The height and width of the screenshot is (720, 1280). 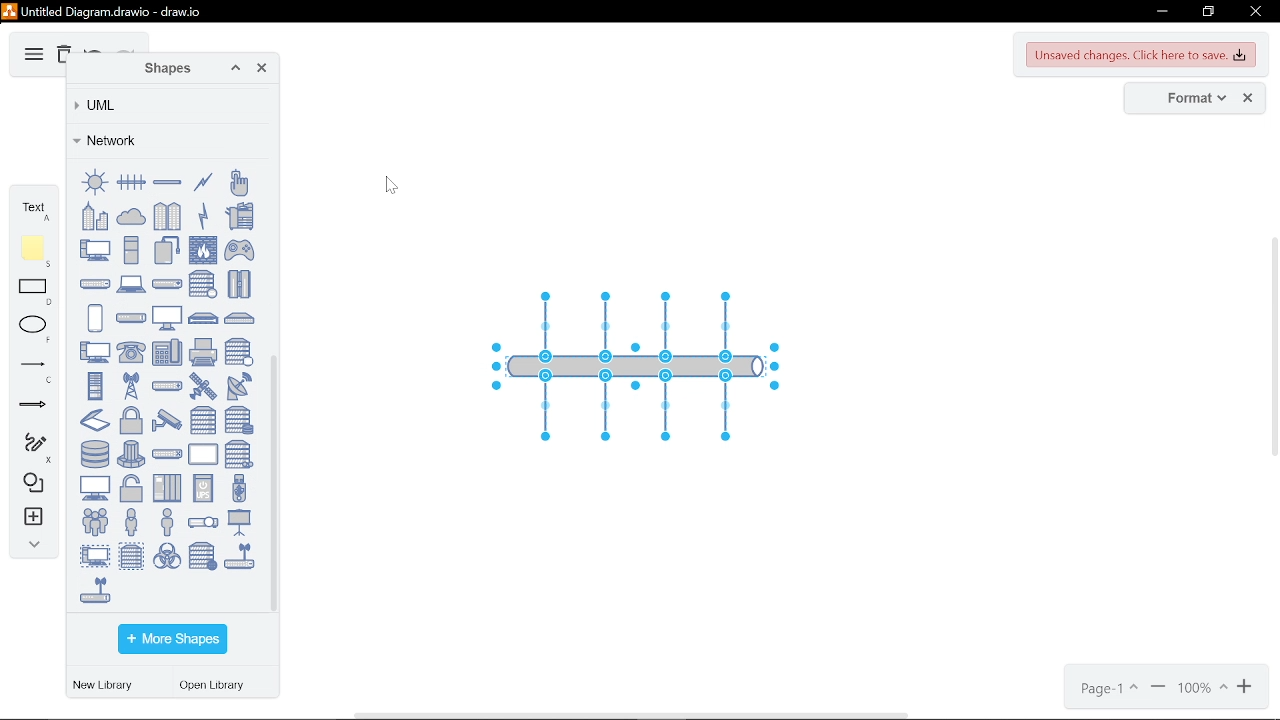 I want to click on bus, so click(x=131, y=182).